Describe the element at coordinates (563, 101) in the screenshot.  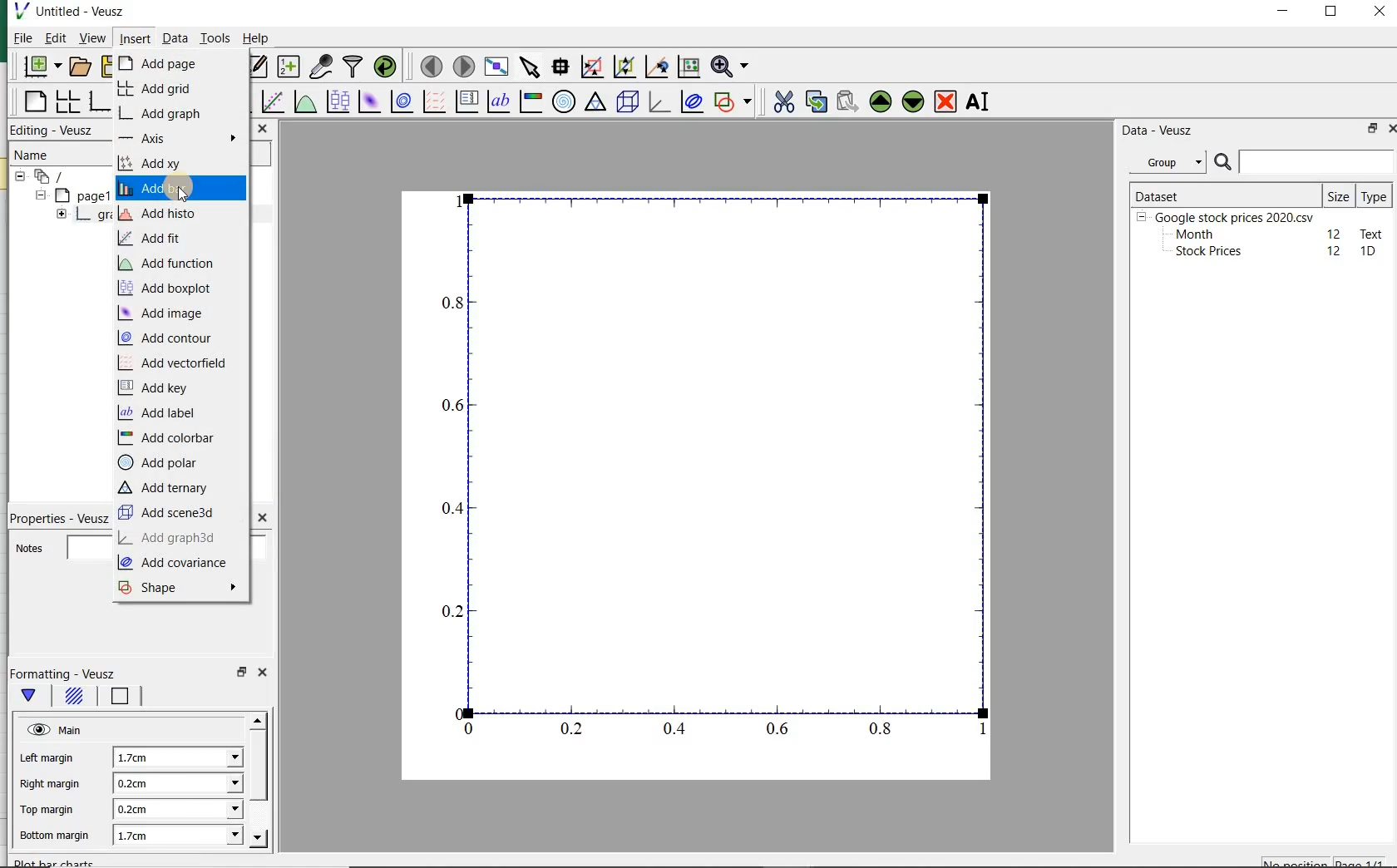
I see `polar graph` at that location.